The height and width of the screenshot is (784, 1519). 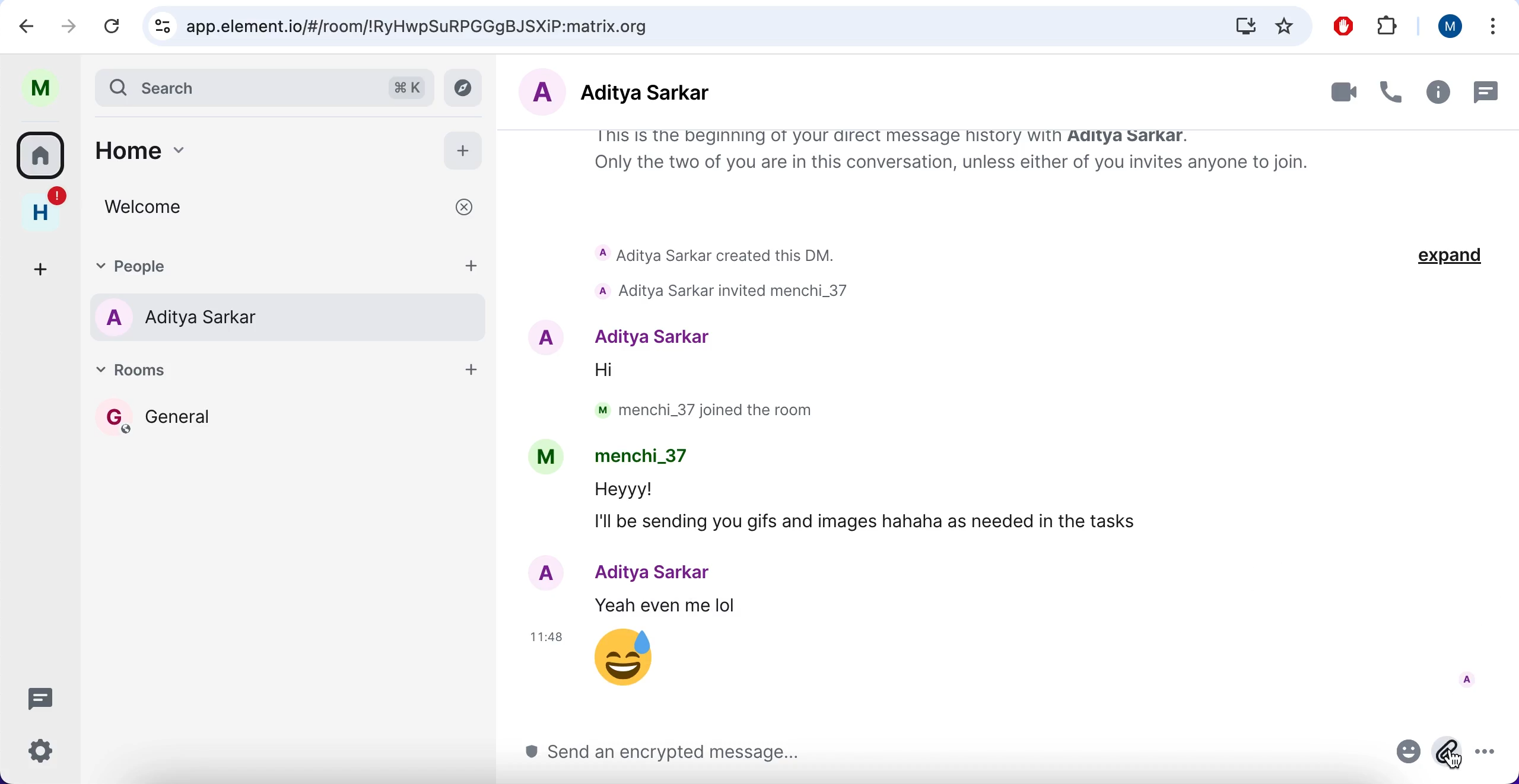 I want to click on user, so click(x=39, y=85).